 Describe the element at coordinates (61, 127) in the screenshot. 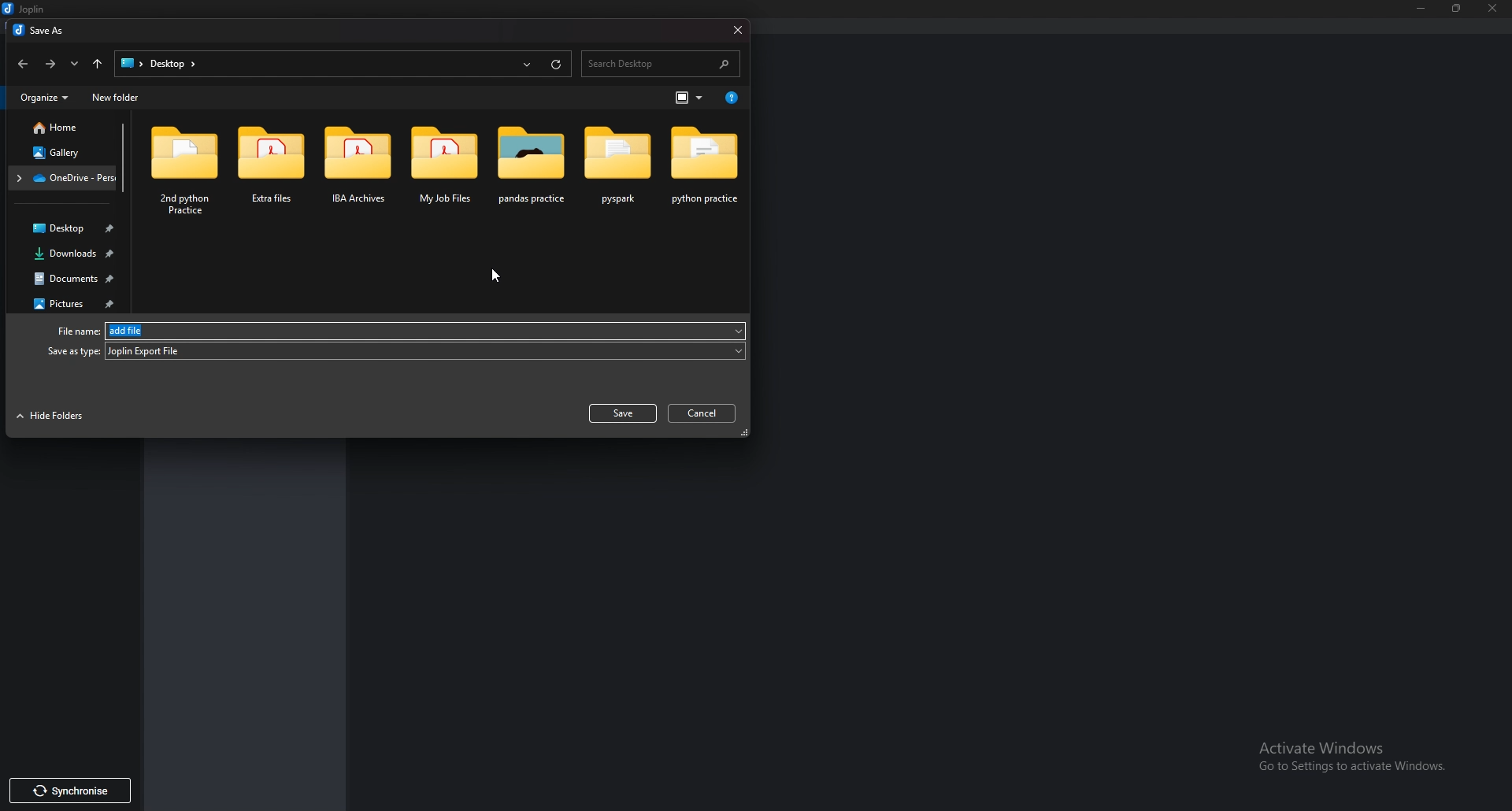

I see `Home` at that location.